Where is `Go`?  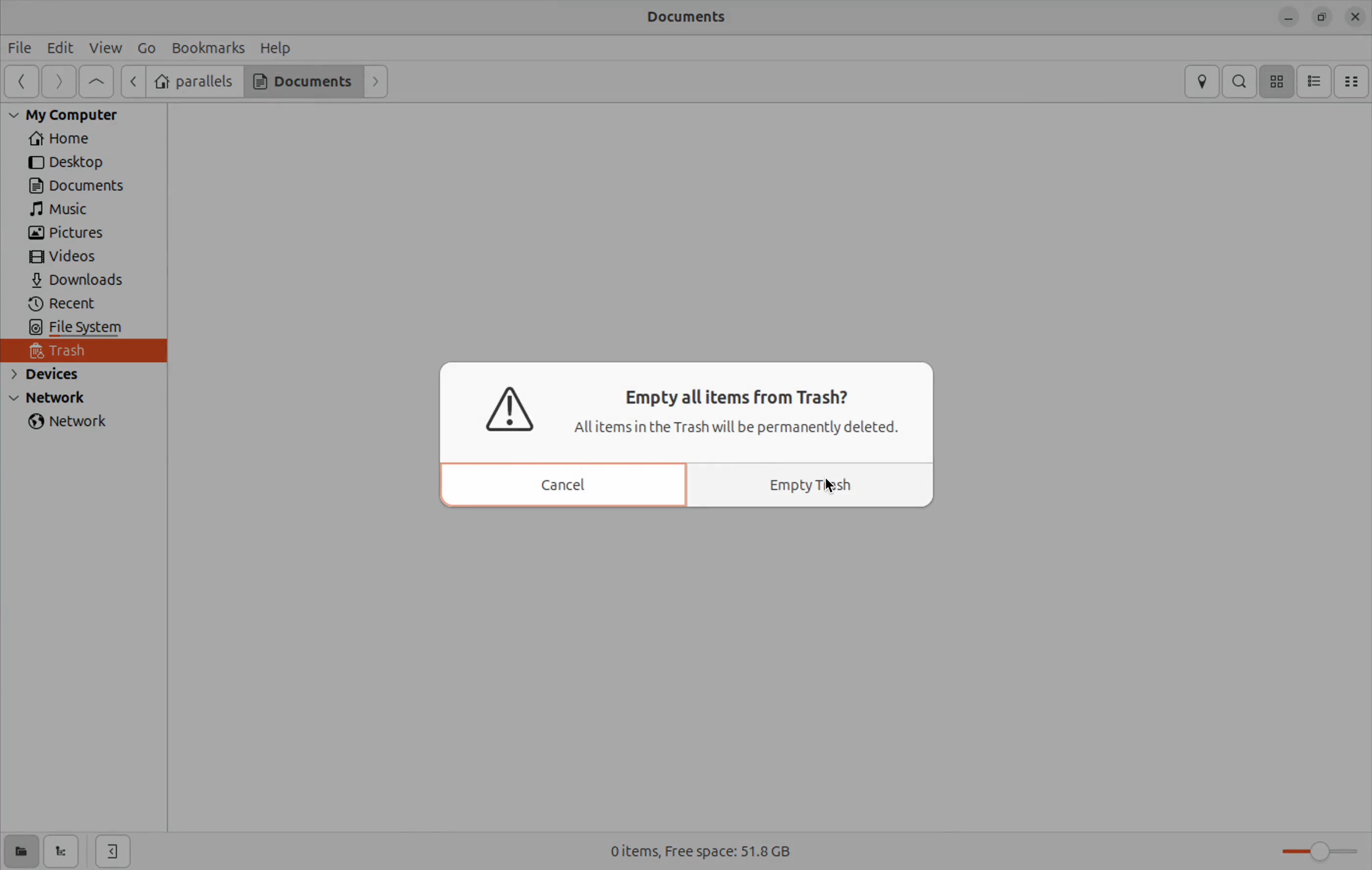 Go is located at coordinates (149, 47).